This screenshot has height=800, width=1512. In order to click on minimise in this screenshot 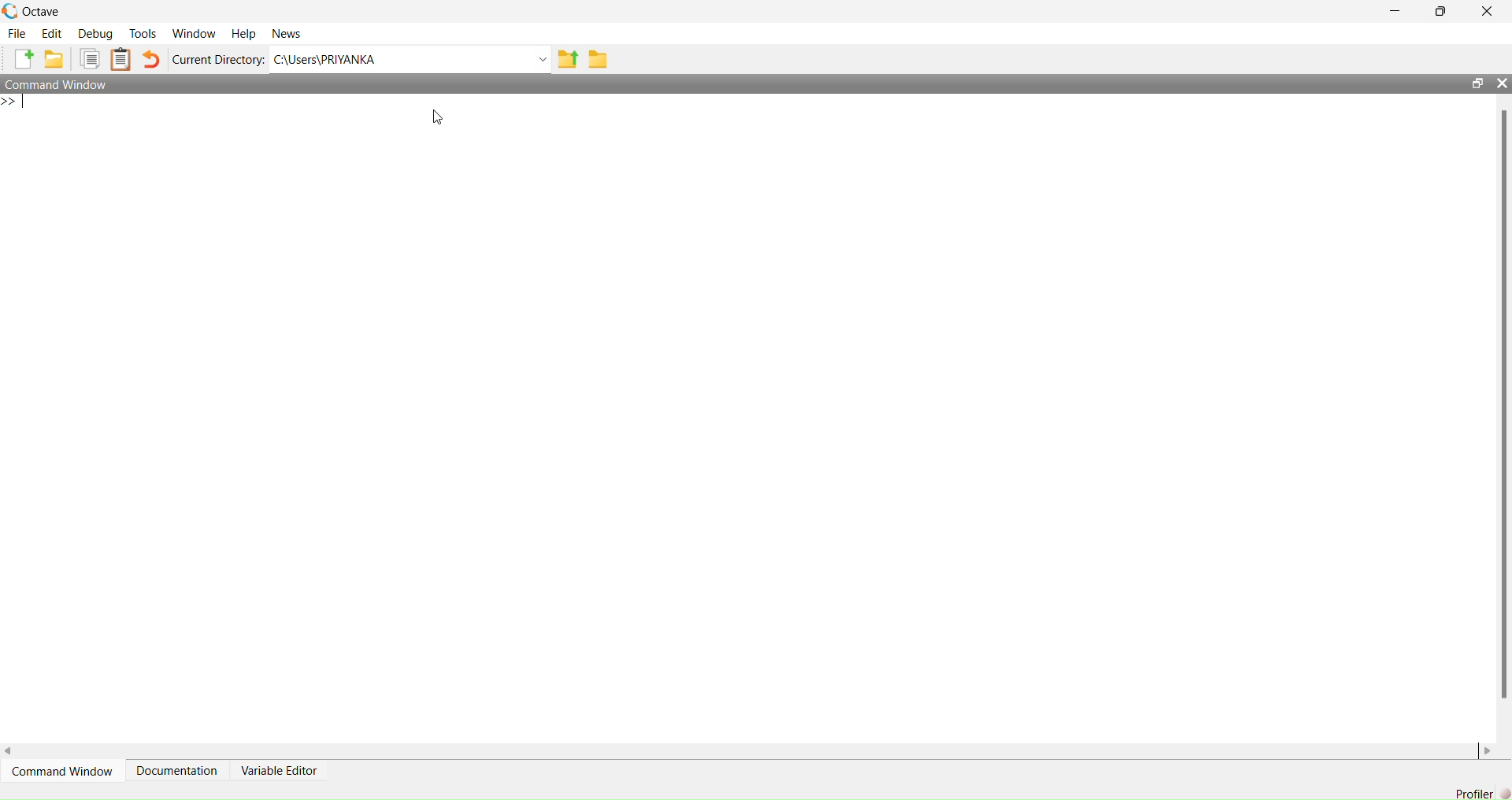, I will do `click(1397, 10)`.